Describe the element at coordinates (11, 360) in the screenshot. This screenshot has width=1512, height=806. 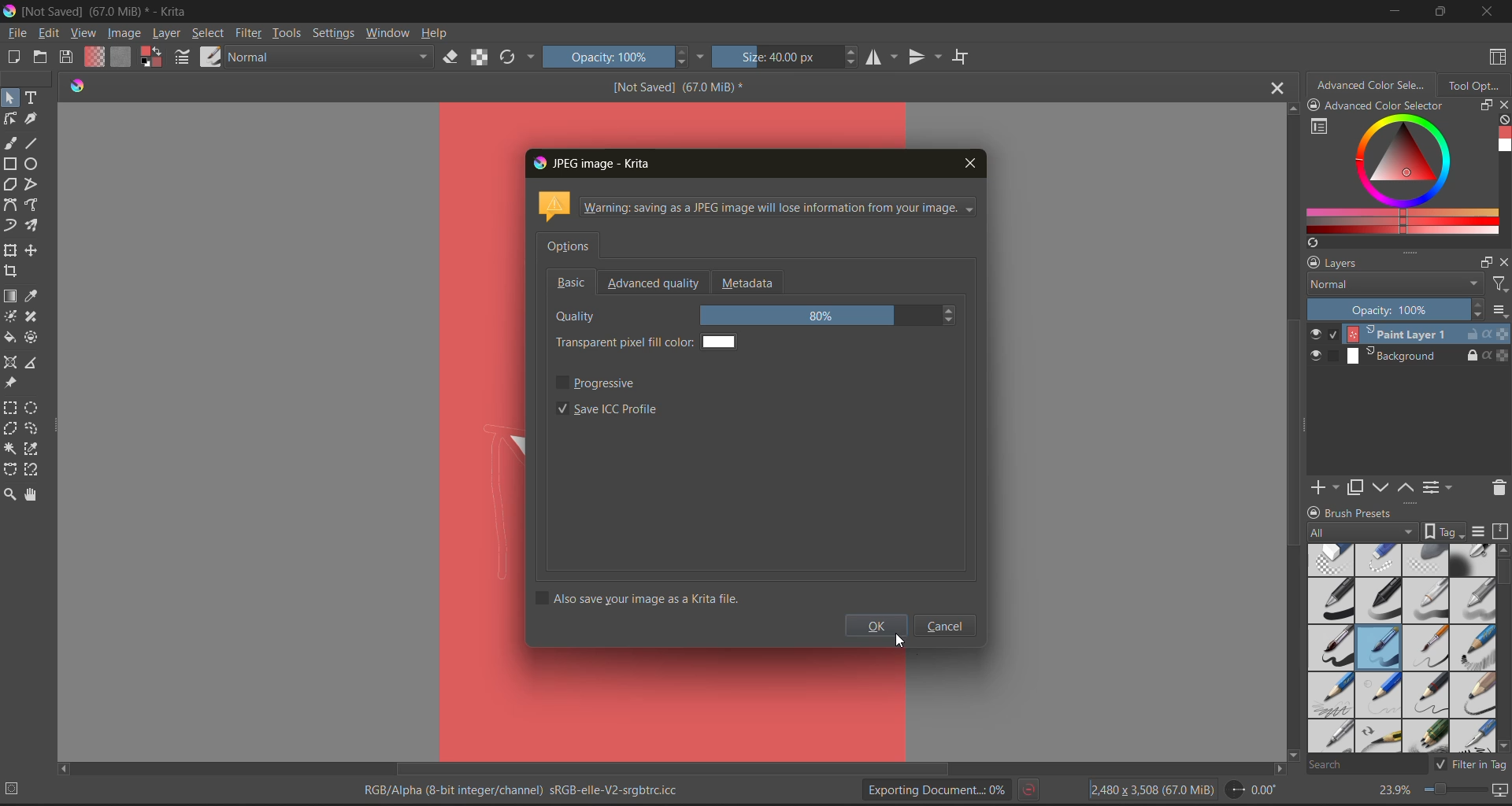
I see `tools` at that location.